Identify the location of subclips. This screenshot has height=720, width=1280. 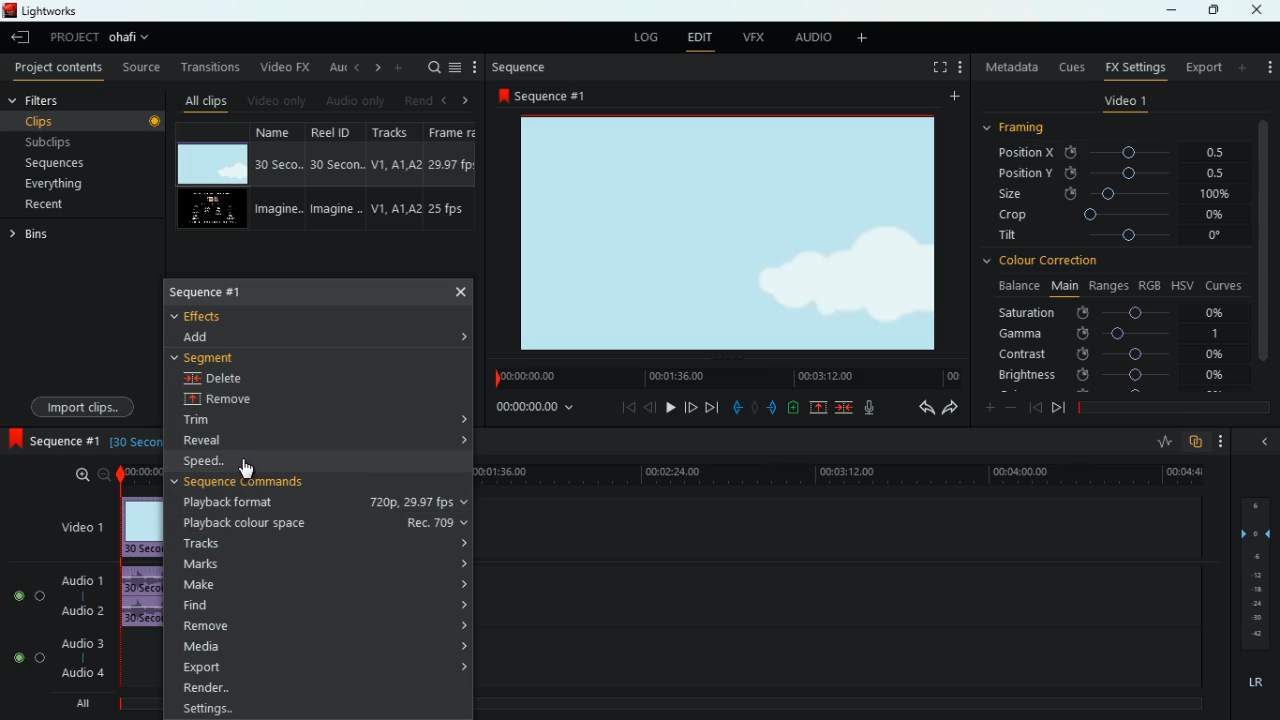
(78, 140).